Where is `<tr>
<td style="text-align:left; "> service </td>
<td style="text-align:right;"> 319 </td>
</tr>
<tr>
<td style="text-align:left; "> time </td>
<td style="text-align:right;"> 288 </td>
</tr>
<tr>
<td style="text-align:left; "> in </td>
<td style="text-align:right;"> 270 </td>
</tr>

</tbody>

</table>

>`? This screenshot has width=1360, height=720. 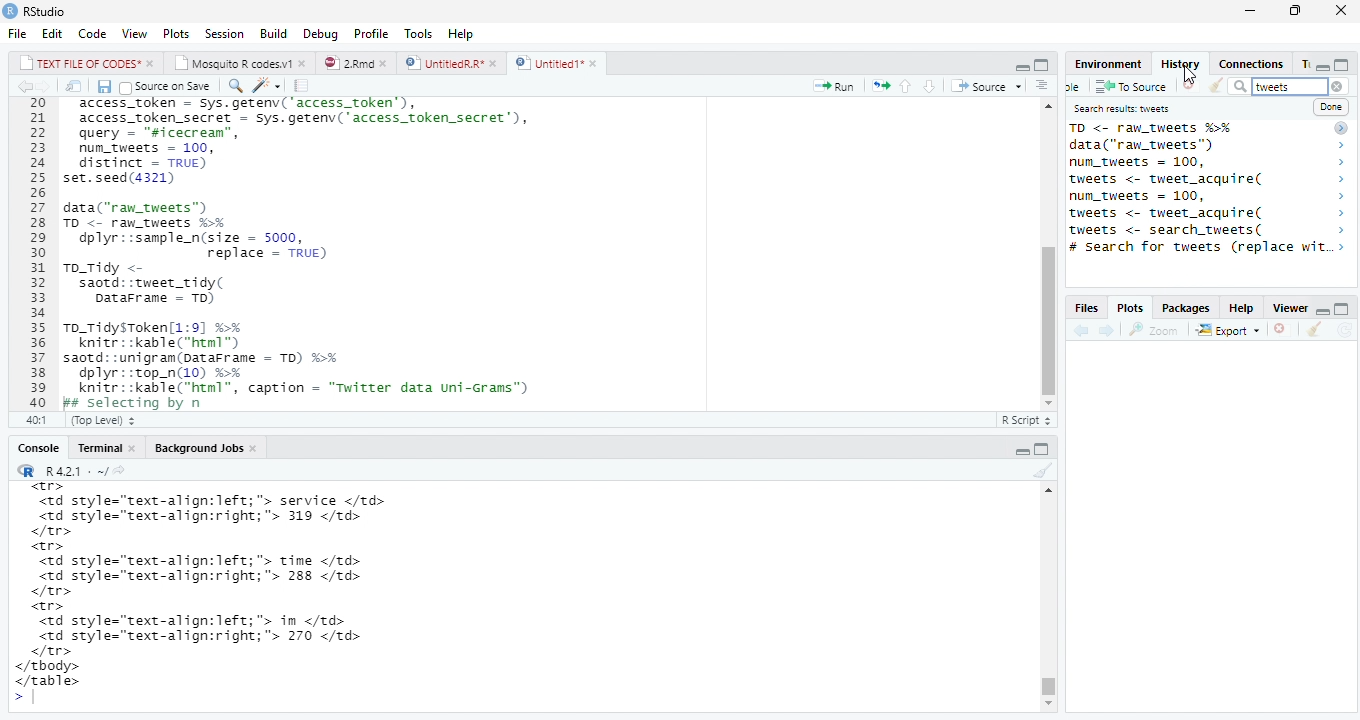 <tr>
<td style="text-align:left; "> service </td>
<td style="text-align:right;"> 319 </td>
</tr>
<tr>
<td style="text-align:left; "> time </td>
<td style="text-align:right;"> 288 </td>
</tr>
<tr>
<td style="text-align:left; "> in </td>
<td style="text-align:right;"> 270 </td>
</tr>

</tbody>

</table>

> is located at coordinates (242, 595).